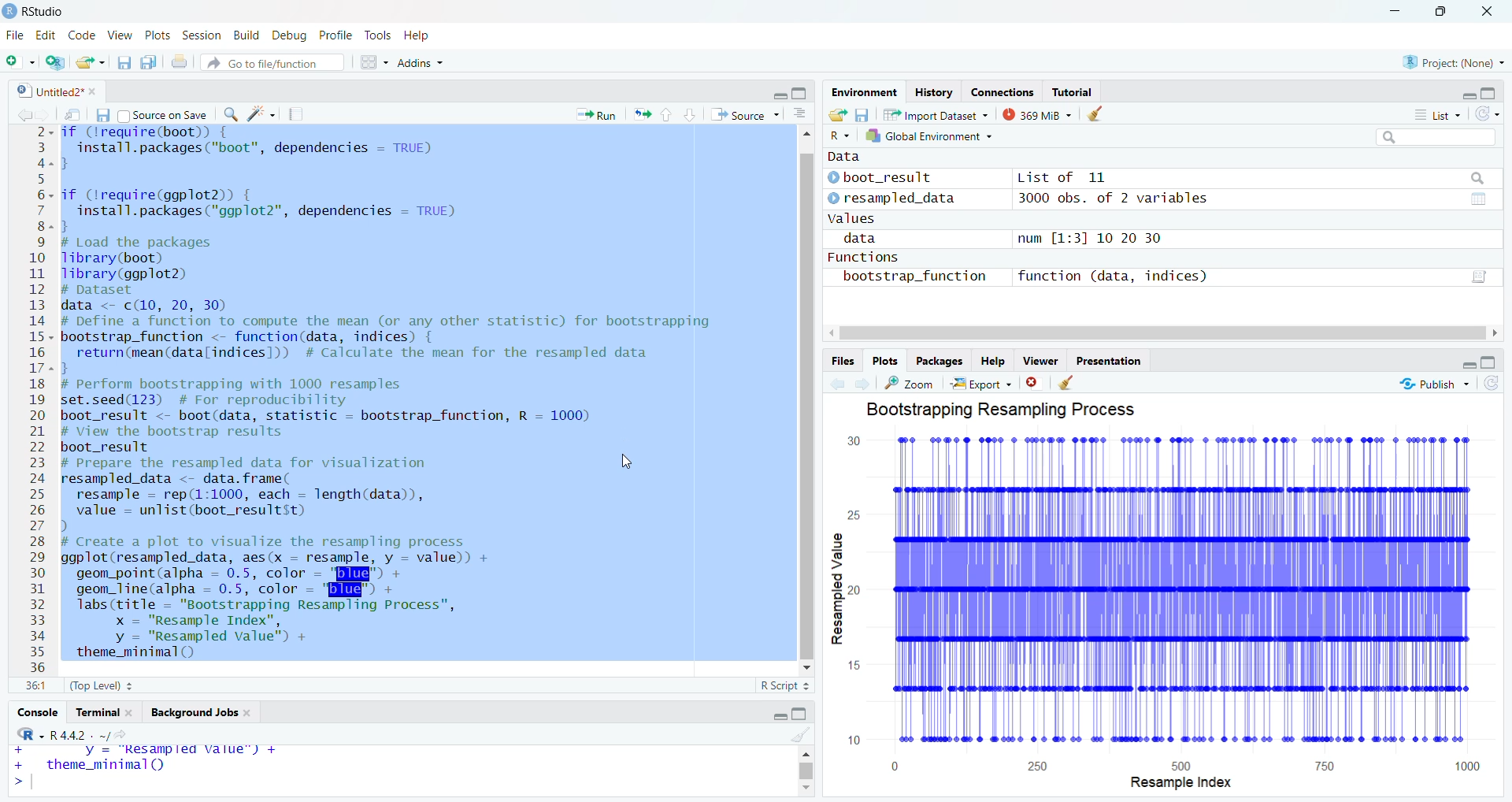 The image size is (1512, 802). I want to click on search bar, so click(1432, 136).